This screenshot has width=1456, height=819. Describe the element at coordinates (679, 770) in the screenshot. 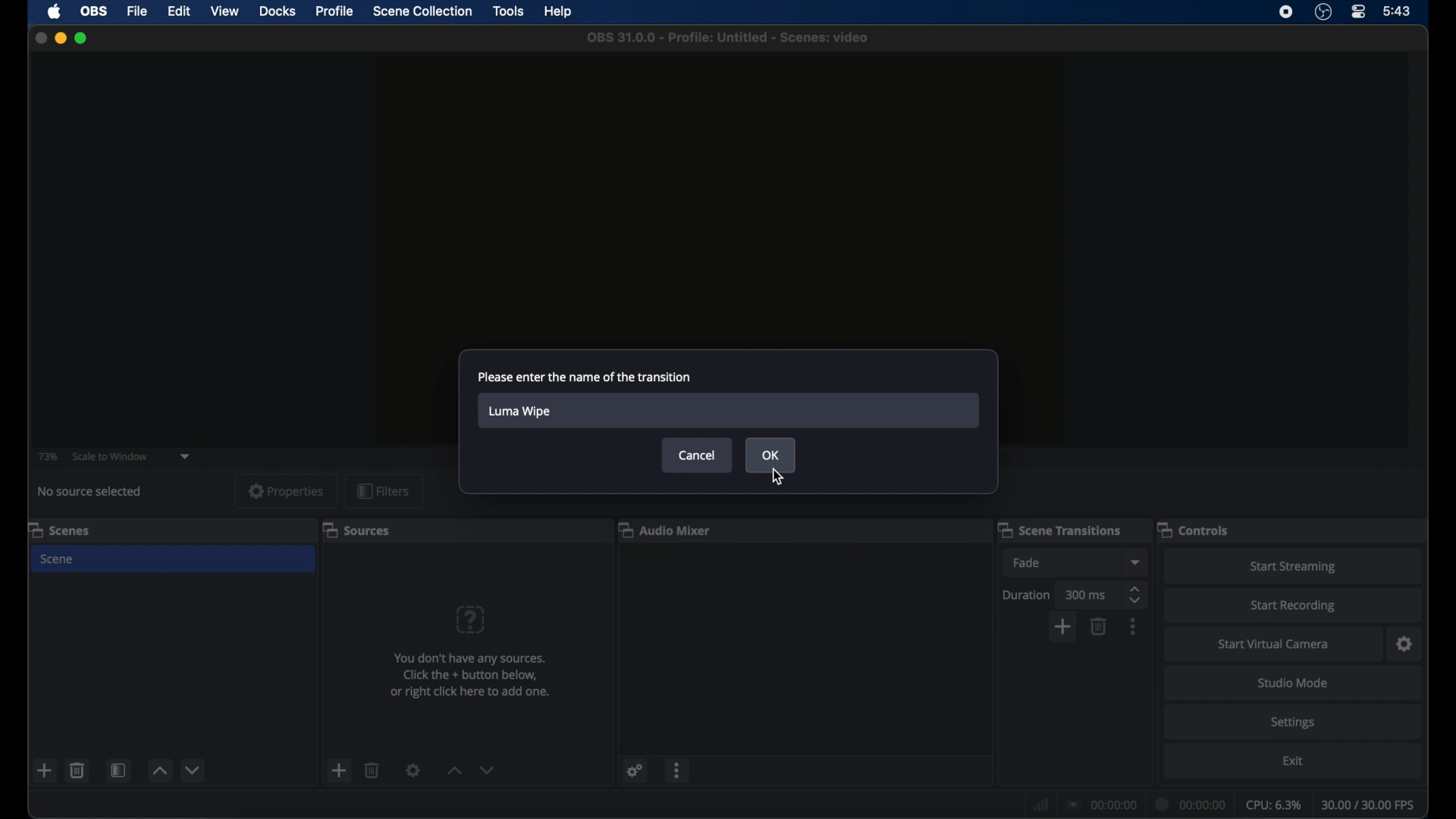

I see `more options` at that location.